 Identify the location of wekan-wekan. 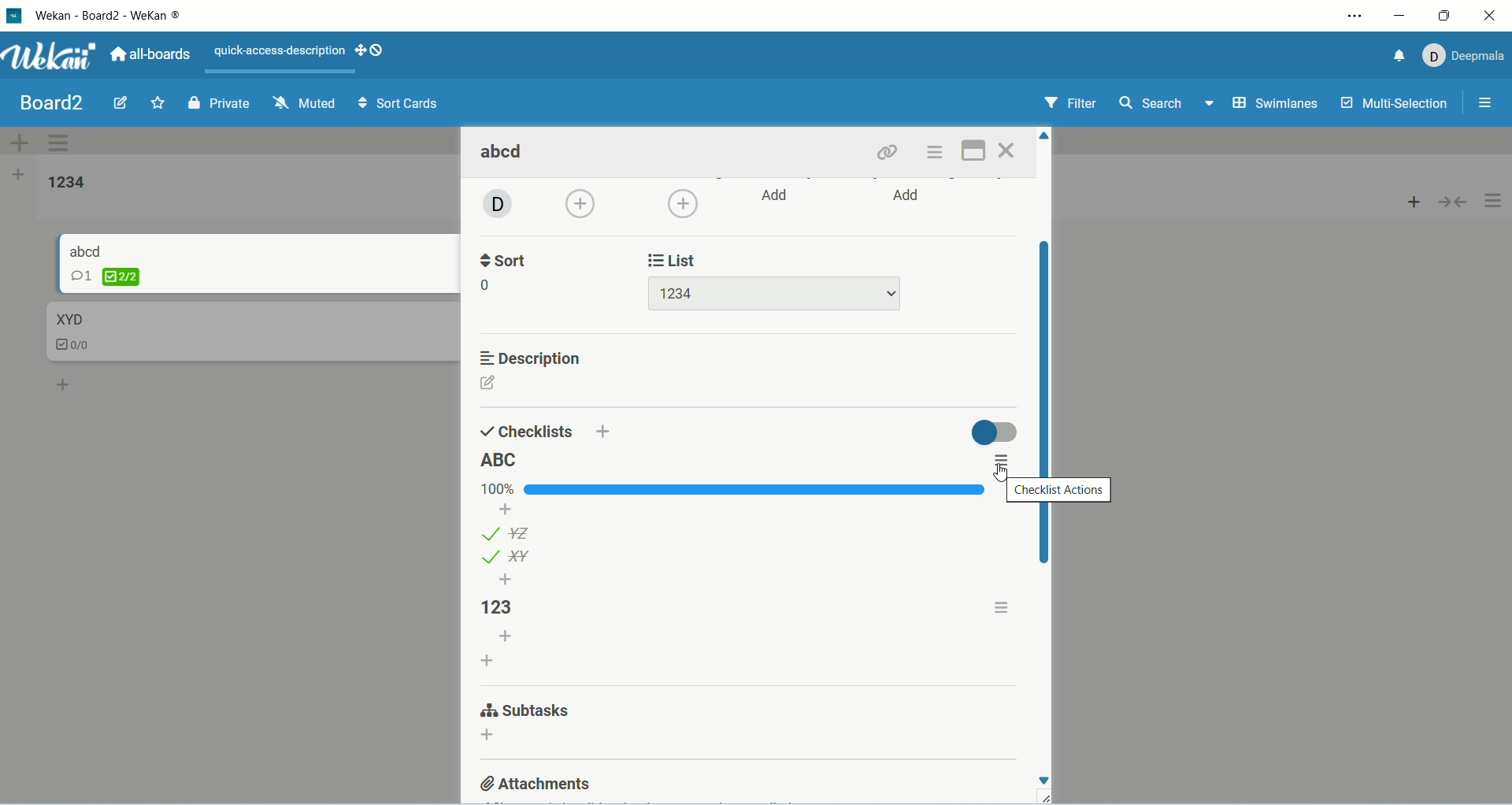
(107, 17).